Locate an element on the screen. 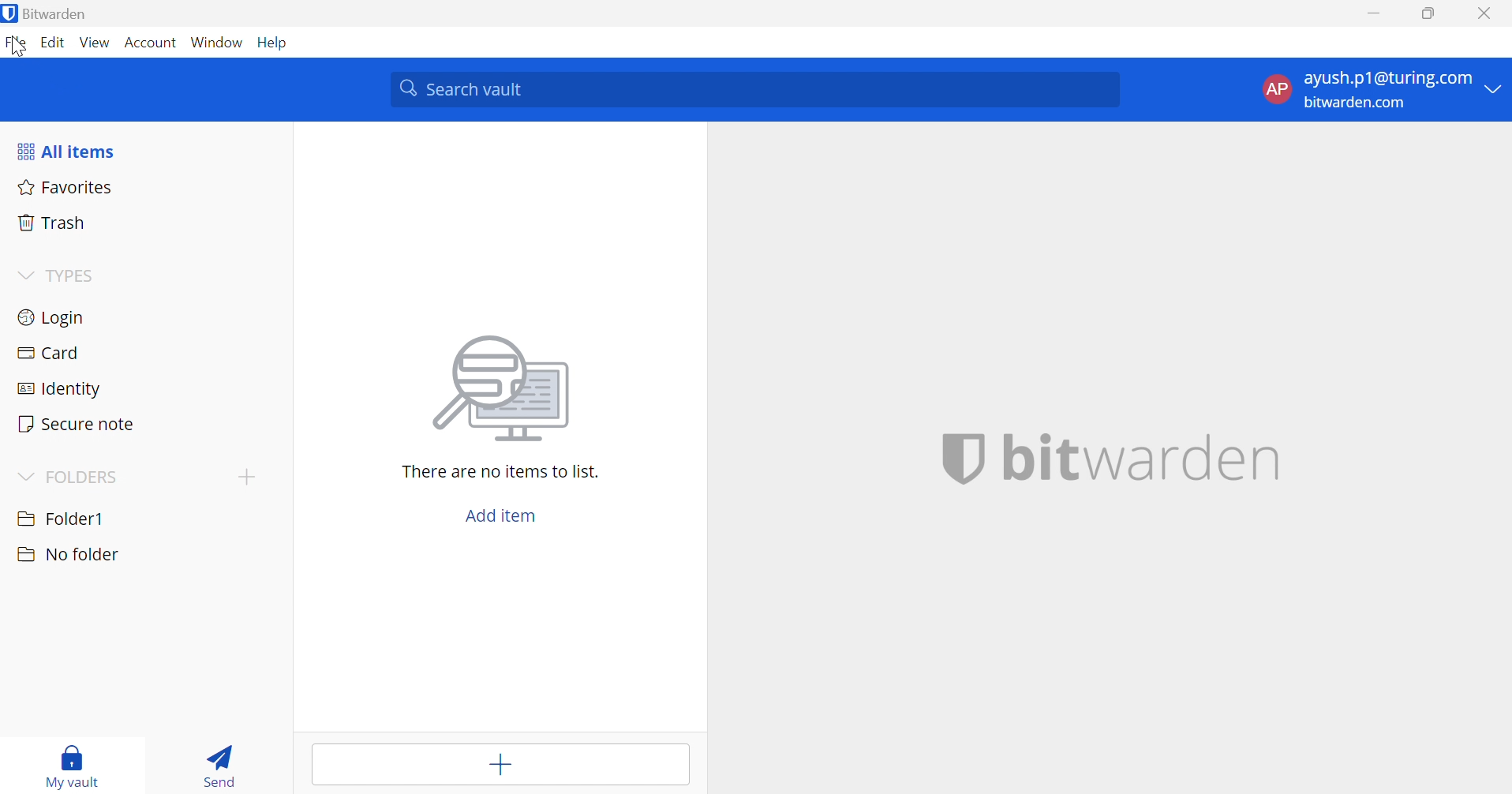  Add item is located at coordinates (498, 765).